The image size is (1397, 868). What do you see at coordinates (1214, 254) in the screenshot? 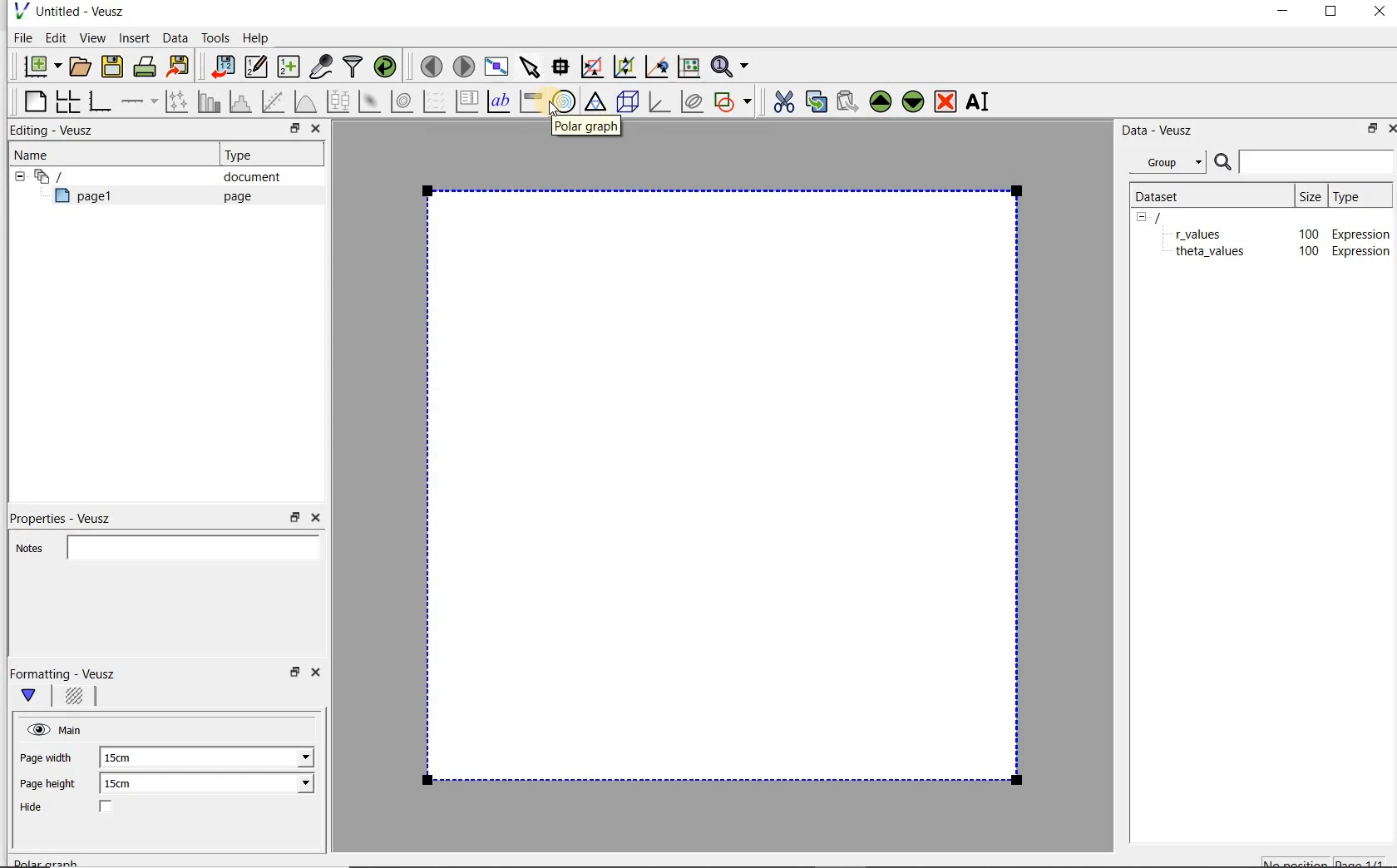
I see `theta_values` at bounding box center [1214, 254].